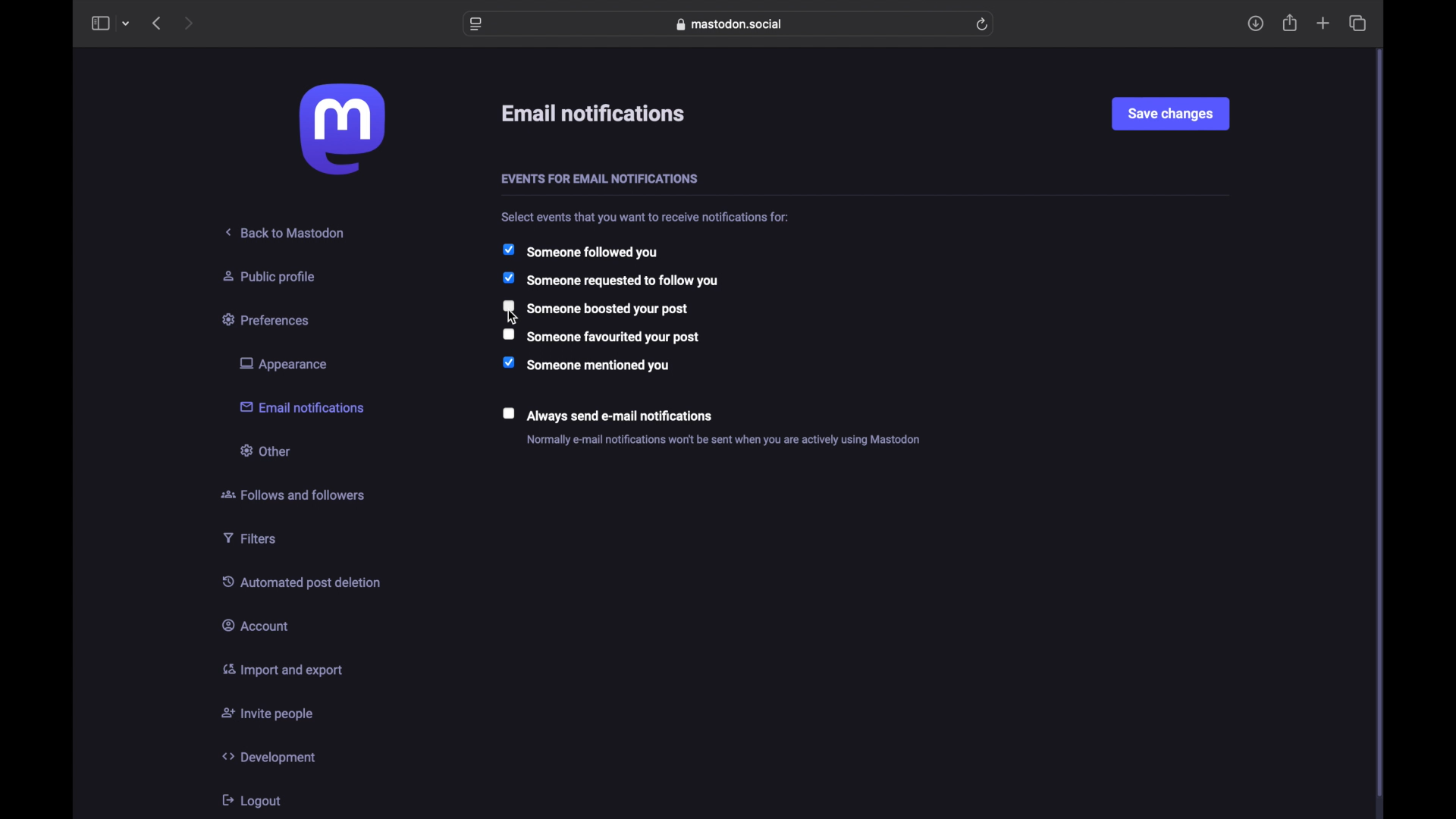 The width and height of the screenshot is (1456, 819). What do you see at coordinates (264, 450) in the screenshot?
I see `other` at bounding box center [264, 450].